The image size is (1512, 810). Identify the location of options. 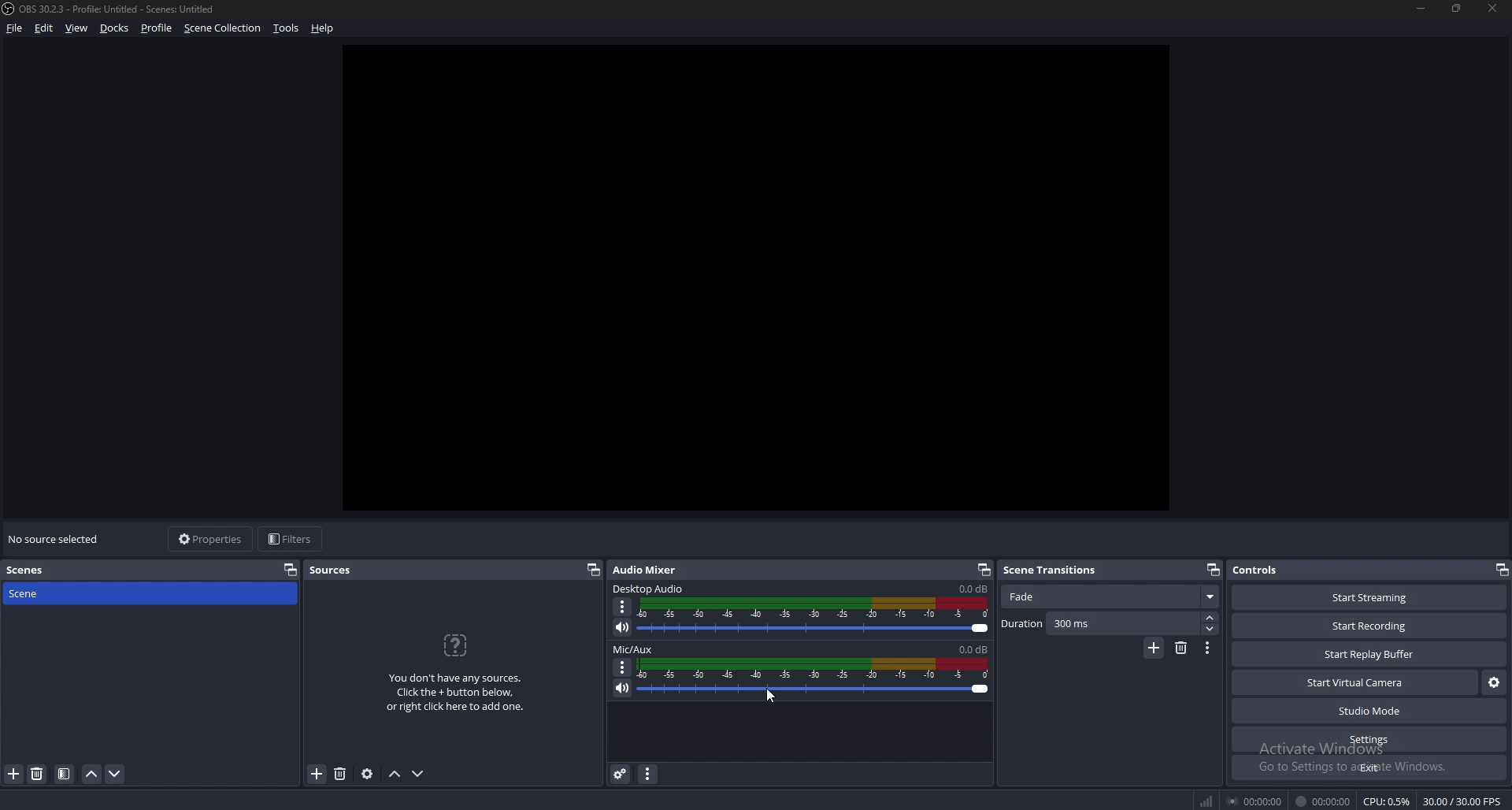
(623, 607).